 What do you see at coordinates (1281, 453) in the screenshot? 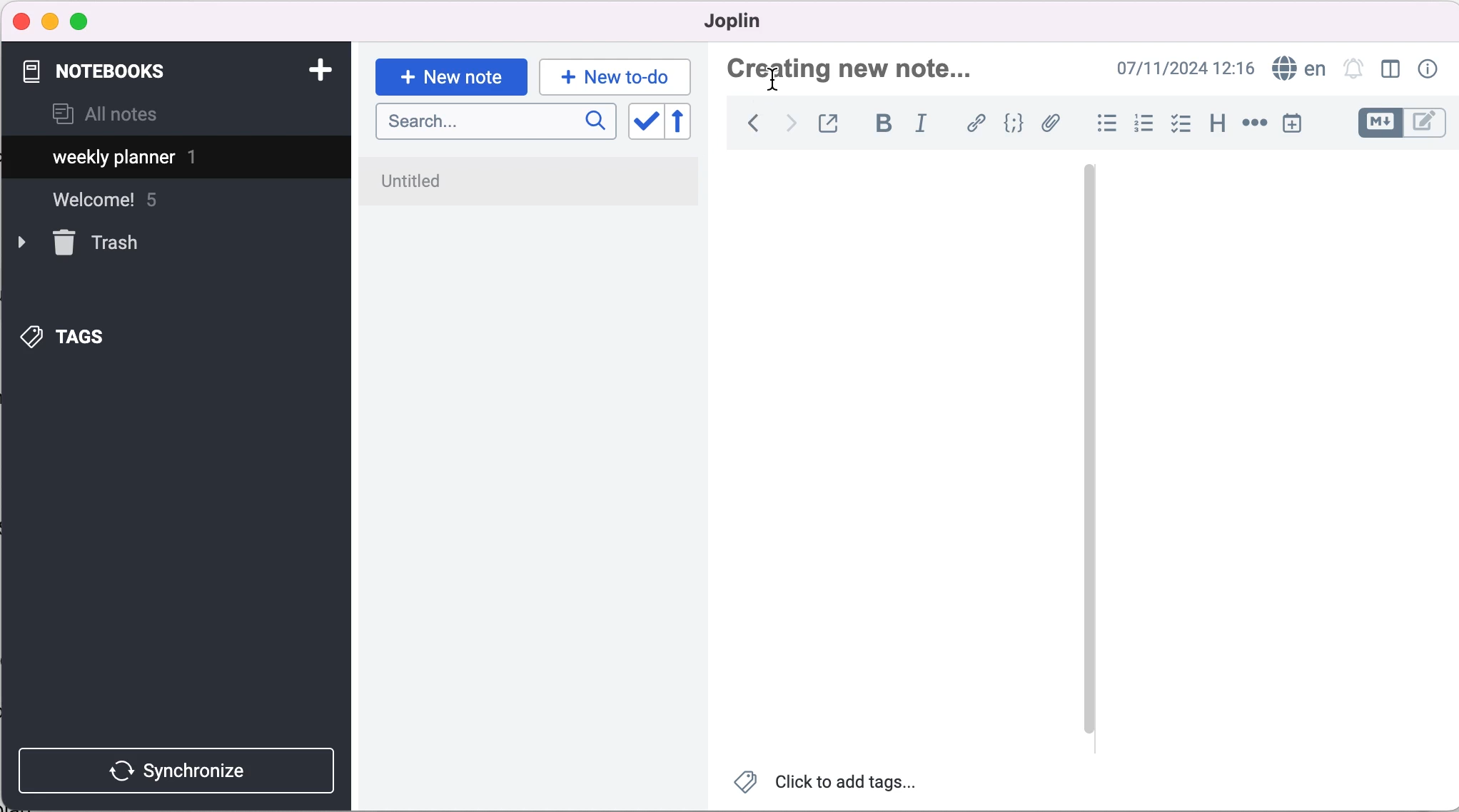
I see `blank canvas` at bounding box center [1281, 453].